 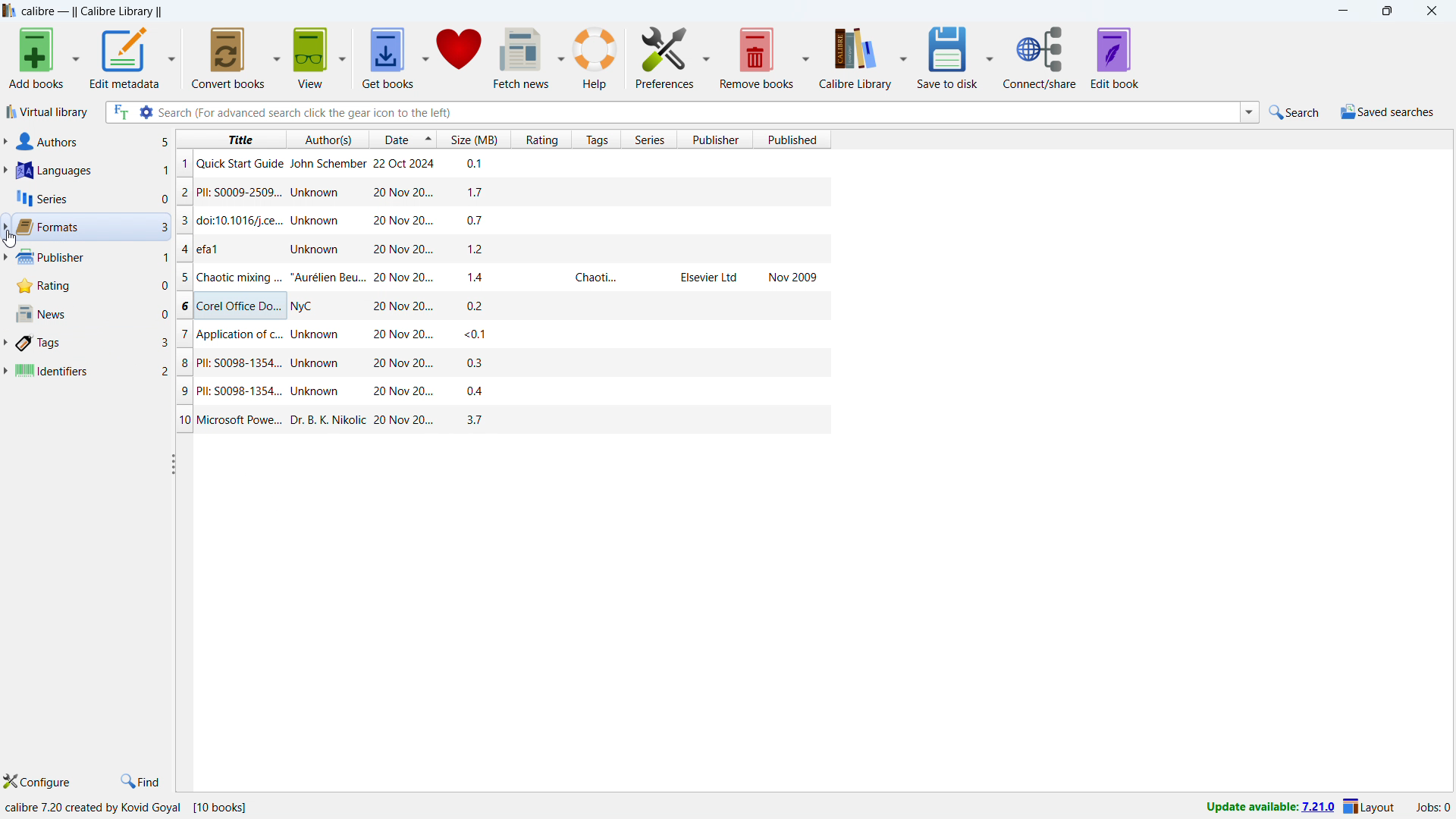 I want to click on identifiers, so click(x=91, y=370).